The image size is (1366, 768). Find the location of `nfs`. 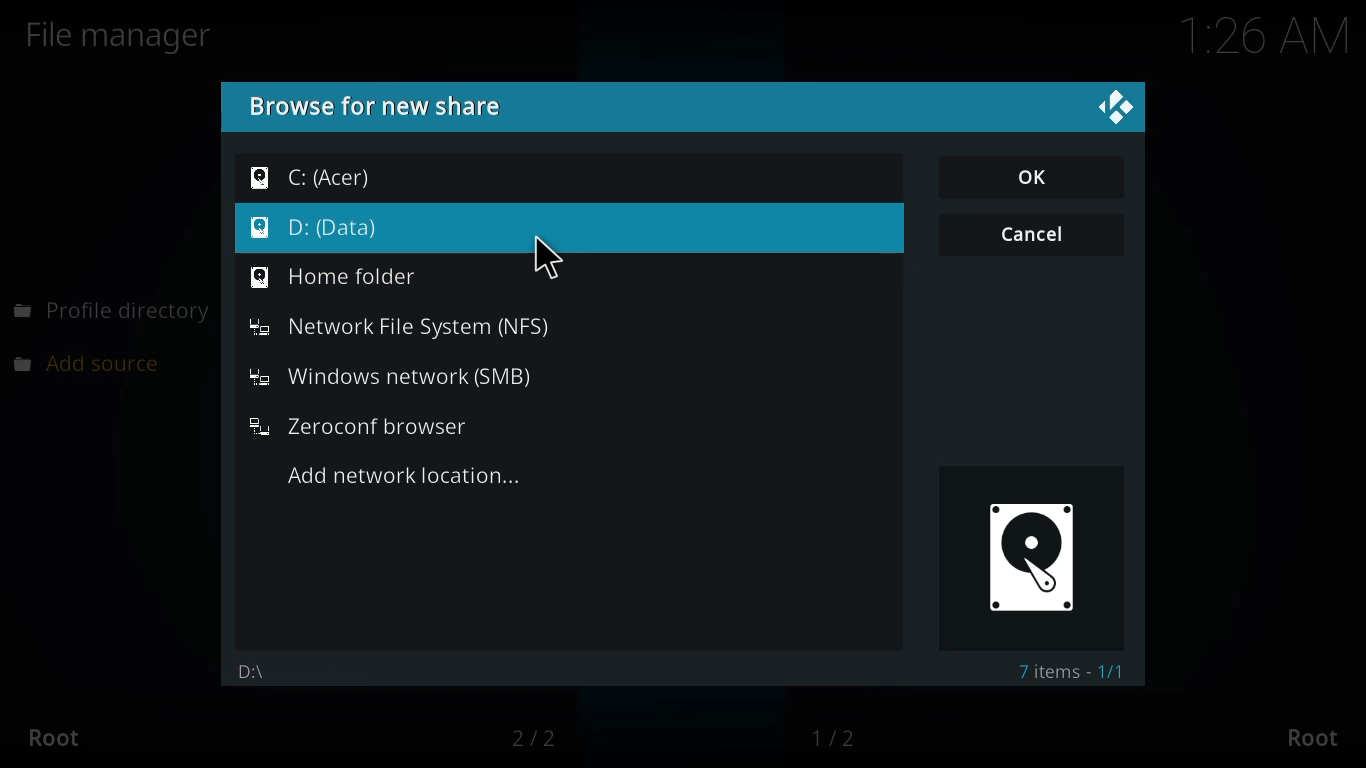

nfs is located at coordinates (400, 327).